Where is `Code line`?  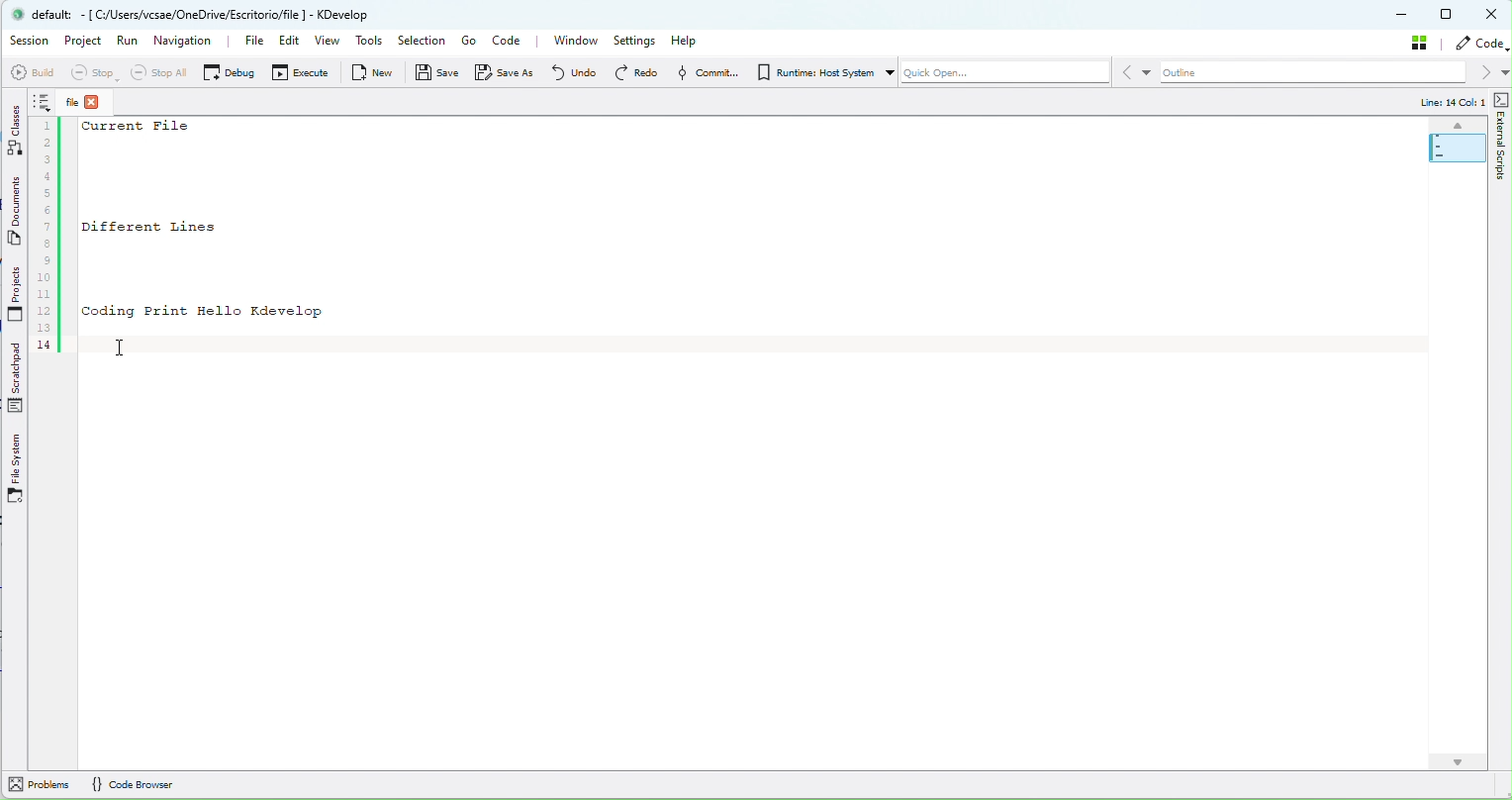 Code line is located at coordinates (47, 223).